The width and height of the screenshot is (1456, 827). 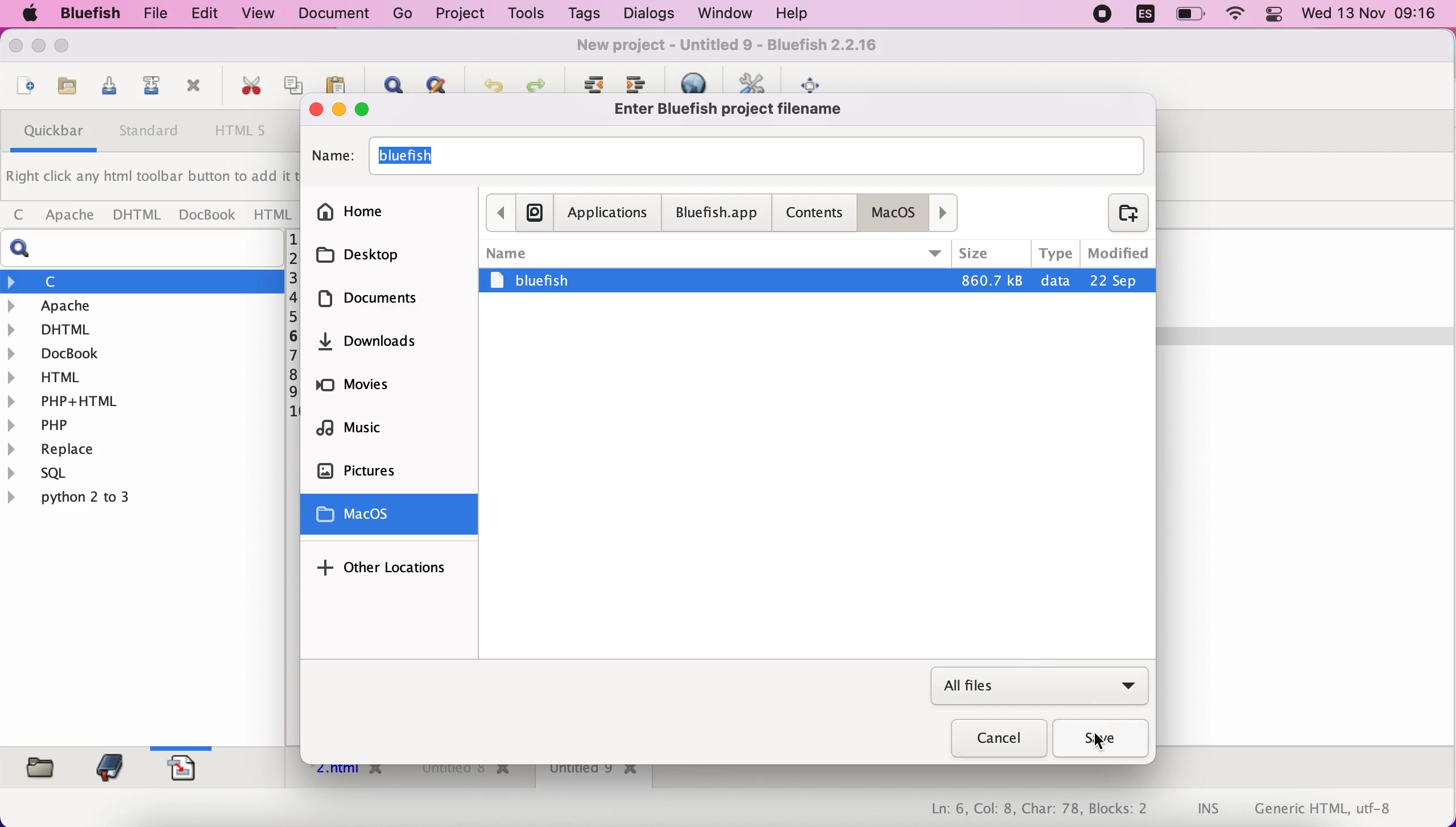 I want to click on generic html, so click(x=1341, y=808).